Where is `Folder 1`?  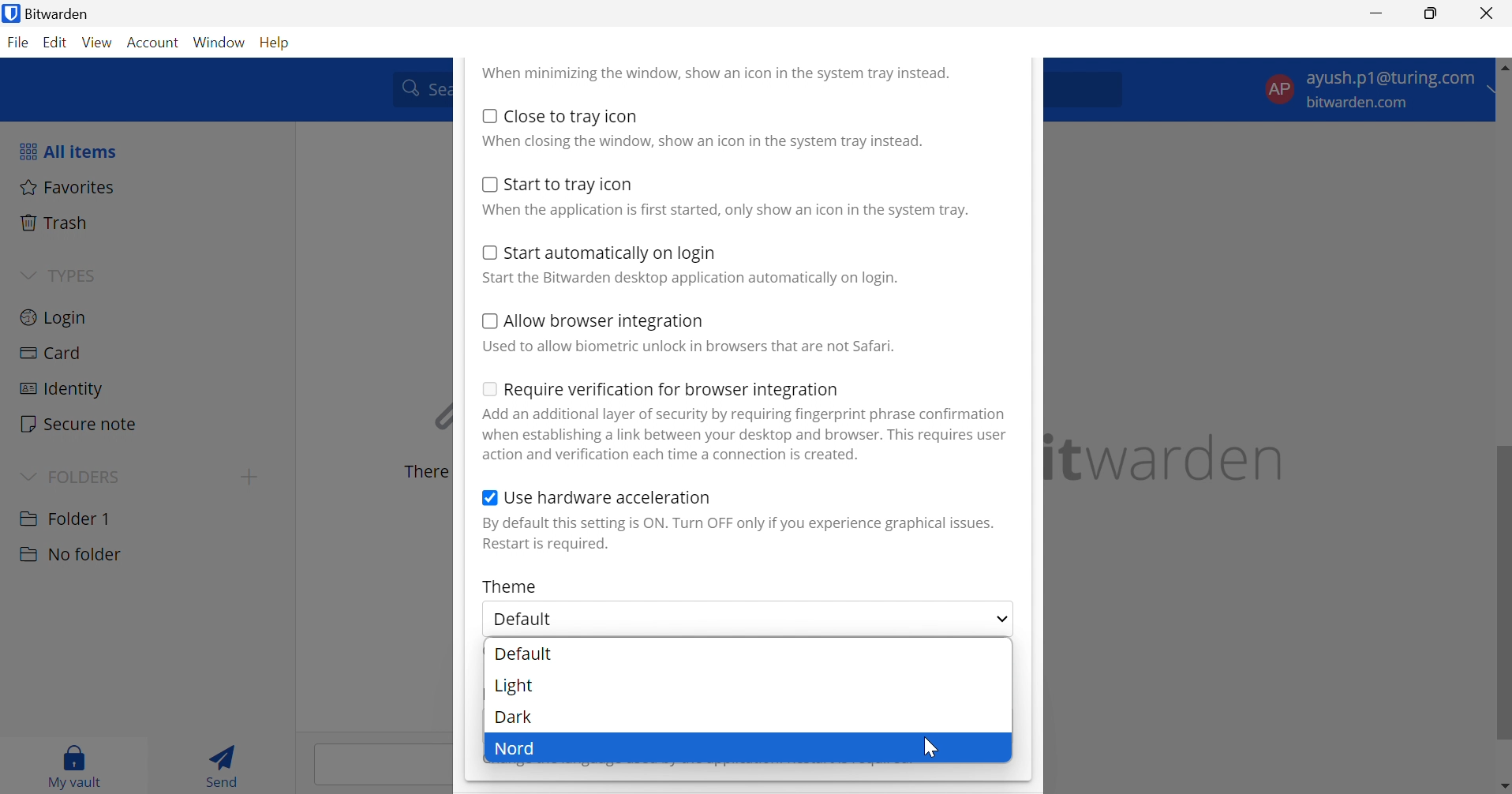
Folder 1 is located at coordinates (65, 517).